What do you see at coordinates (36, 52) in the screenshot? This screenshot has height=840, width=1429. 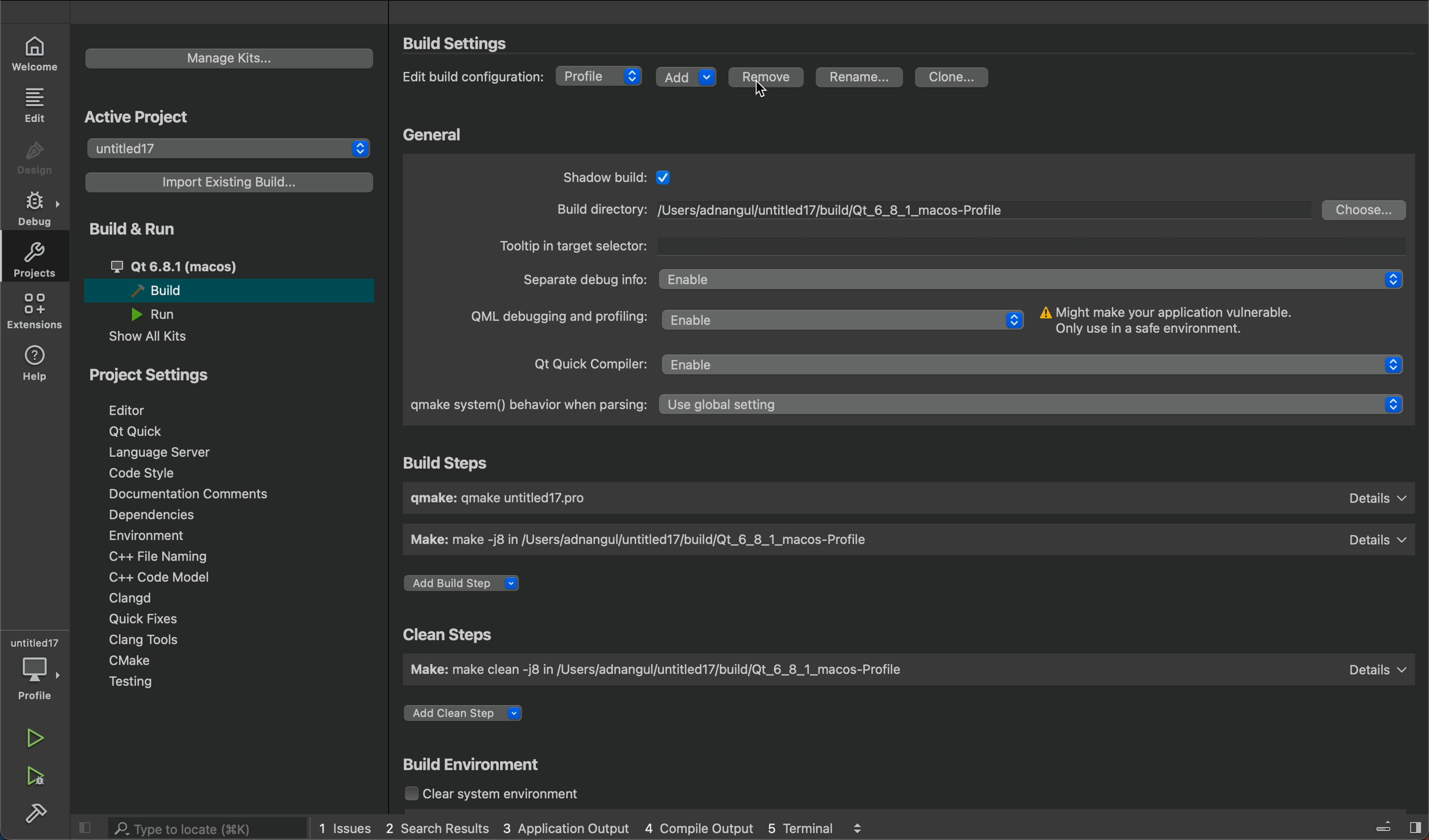 I see `welcome` at bounding box center [36, 52].